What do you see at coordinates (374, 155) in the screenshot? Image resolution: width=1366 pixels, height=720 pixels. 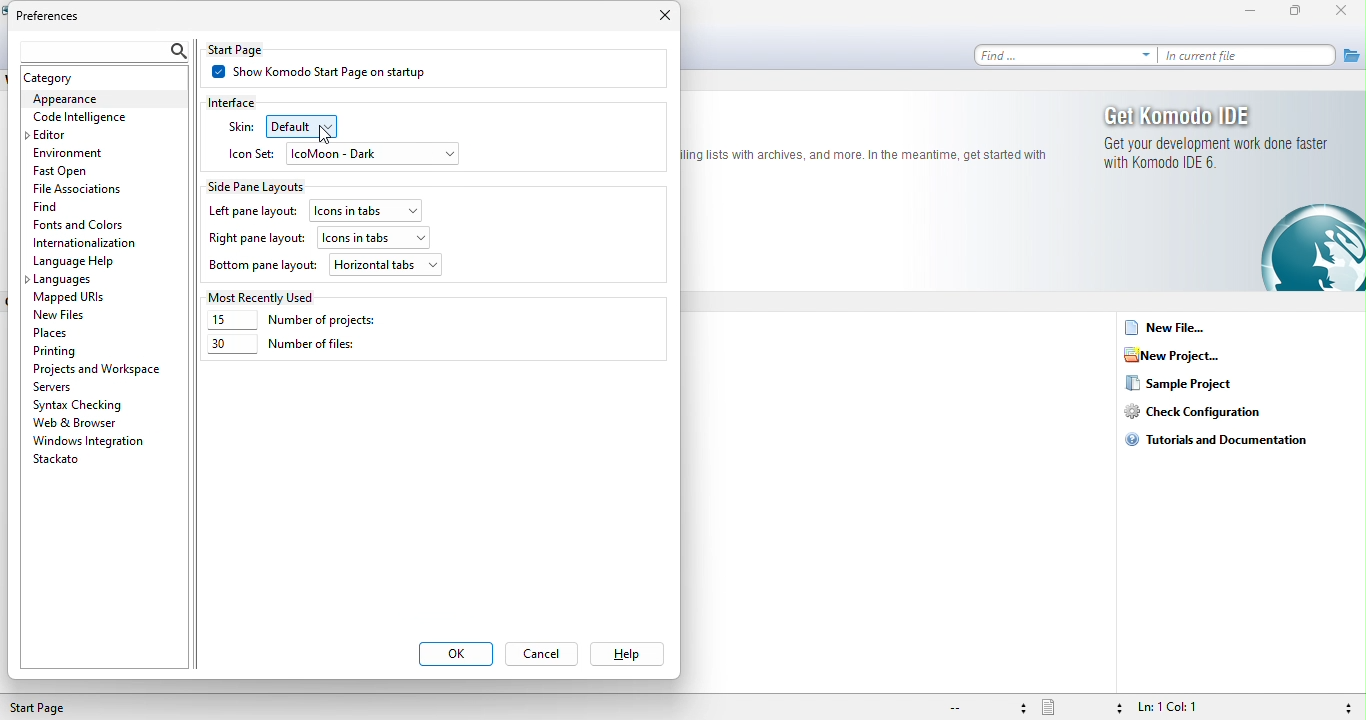 I see `icomoon-dark` at bounding box center [374, 155].